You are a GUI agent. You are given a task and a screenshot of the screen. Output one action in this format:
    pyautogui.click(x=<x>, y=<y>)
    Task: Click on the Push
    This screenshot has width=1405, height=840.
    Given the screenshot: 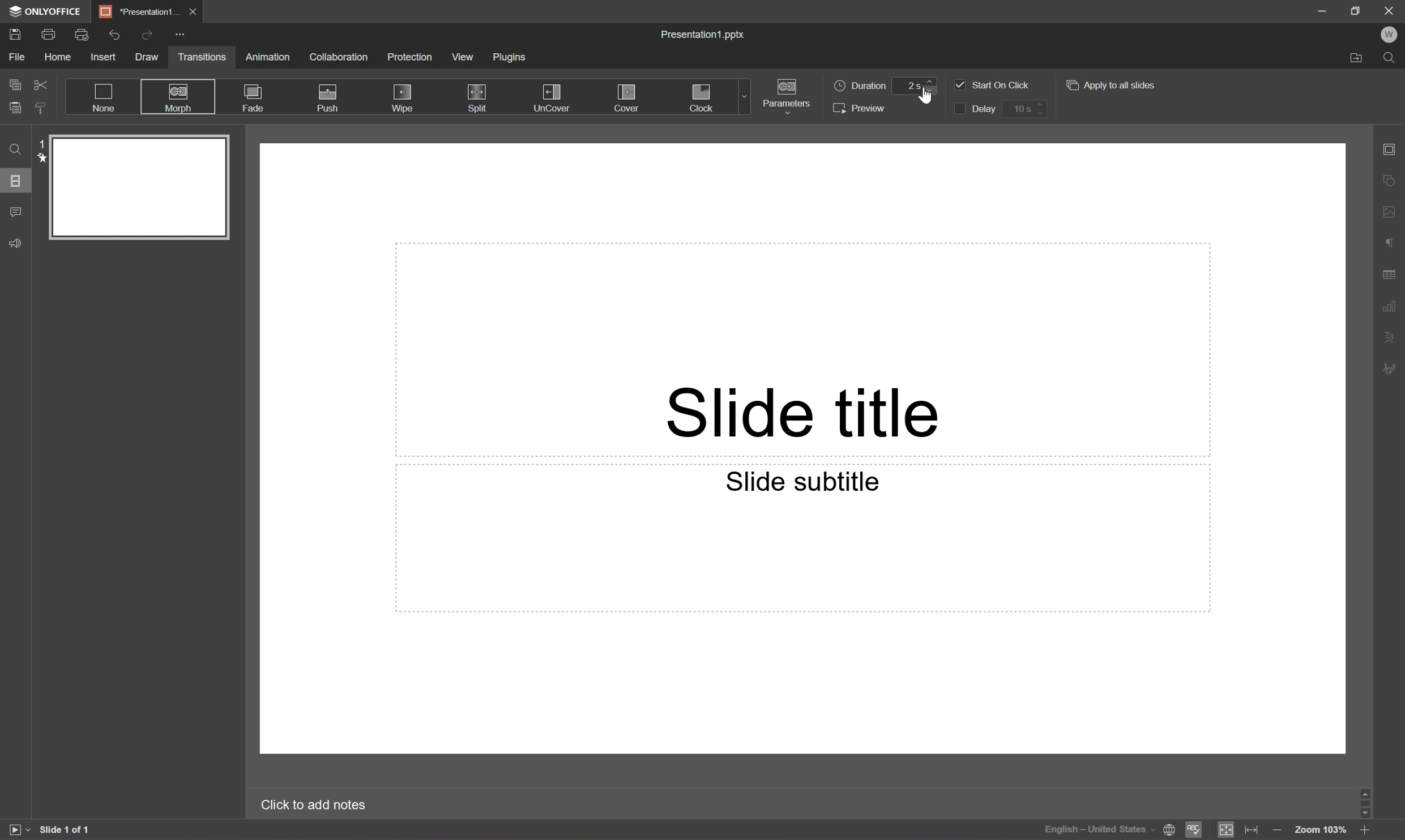 What is the action you would take?
    pyautogui.click(x=326, y=99)
    